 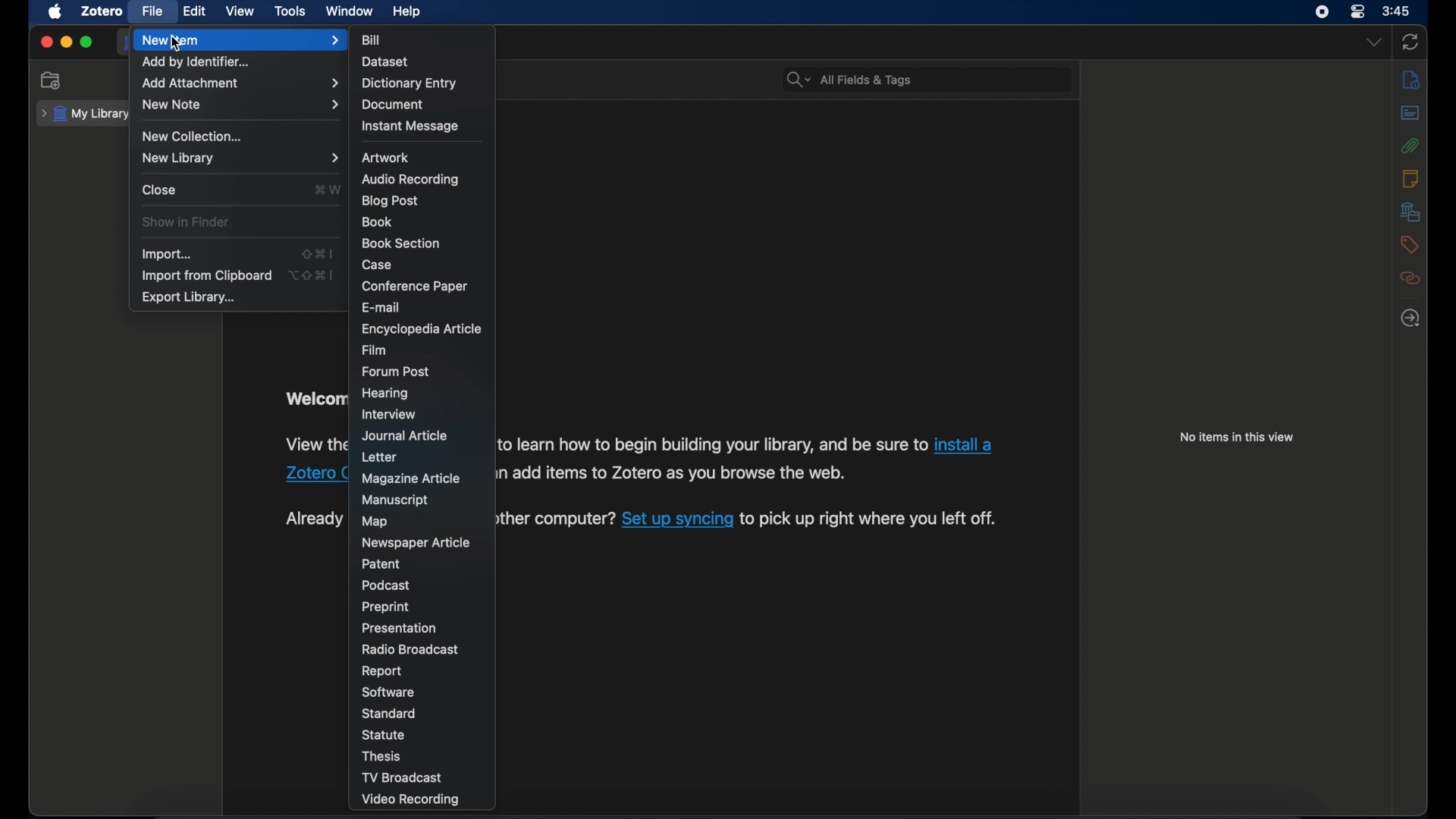 What do you see at coordinates (384, 755) in the screenshot?
I see `thesis` at bounding box center [384, 755].